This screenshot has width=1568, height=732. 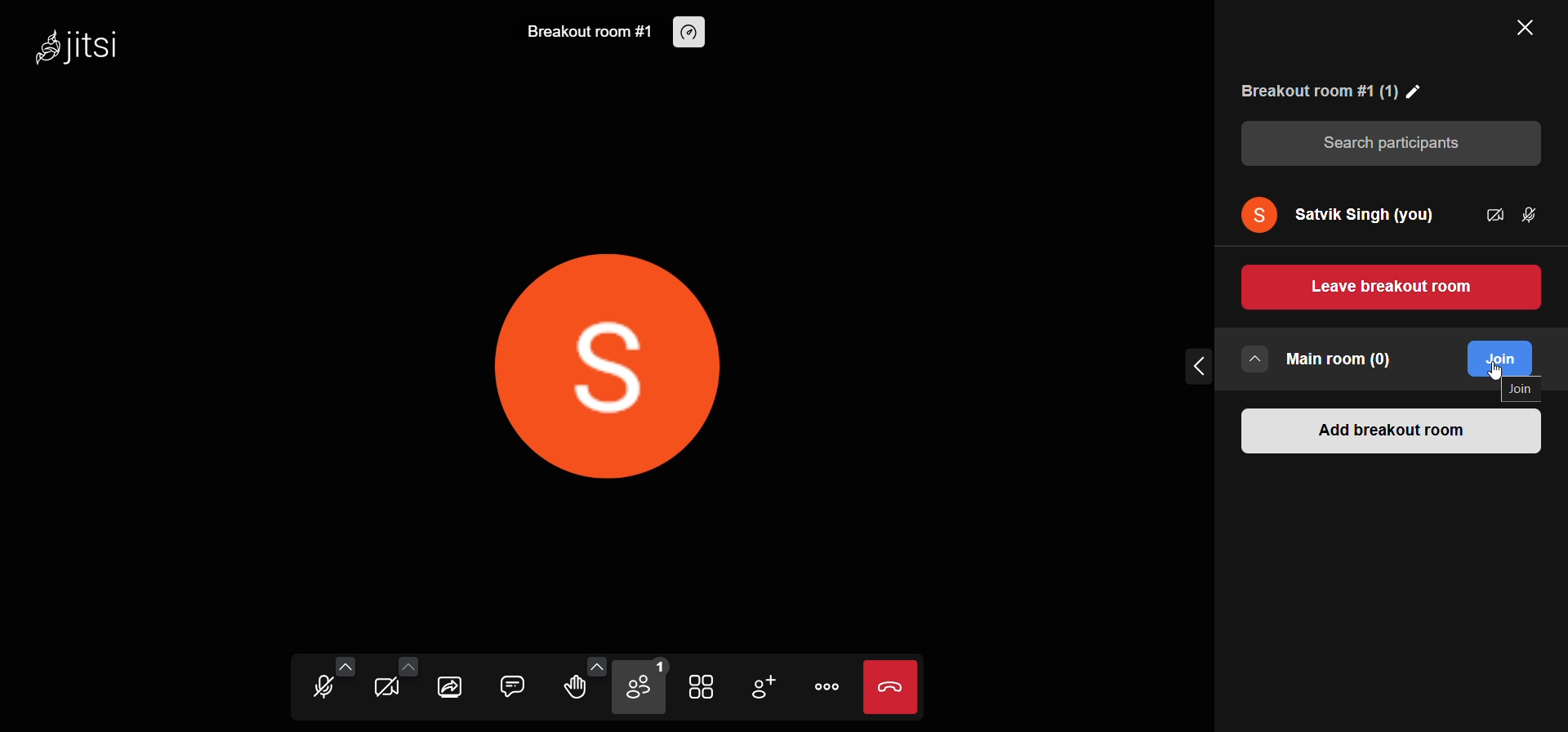 What do you see at coordinates (320, 685) in the screenshot?
I see `microphone` at bounding box center [320, 685].